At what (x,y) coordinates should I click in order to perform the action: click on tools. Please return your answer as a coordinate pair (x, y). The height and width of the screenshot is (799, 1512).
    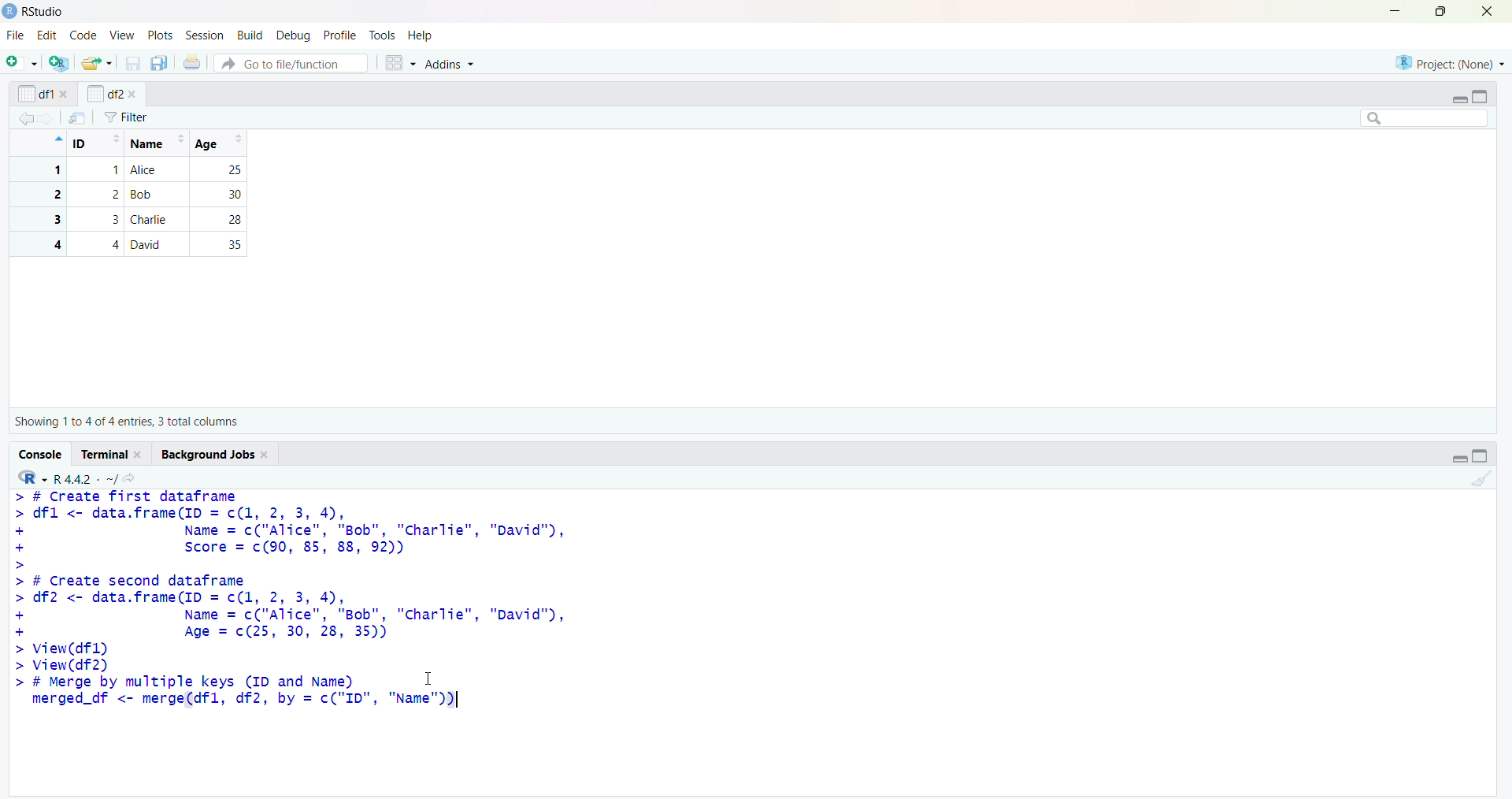
    Looking at the image, I should click on (383, 35).